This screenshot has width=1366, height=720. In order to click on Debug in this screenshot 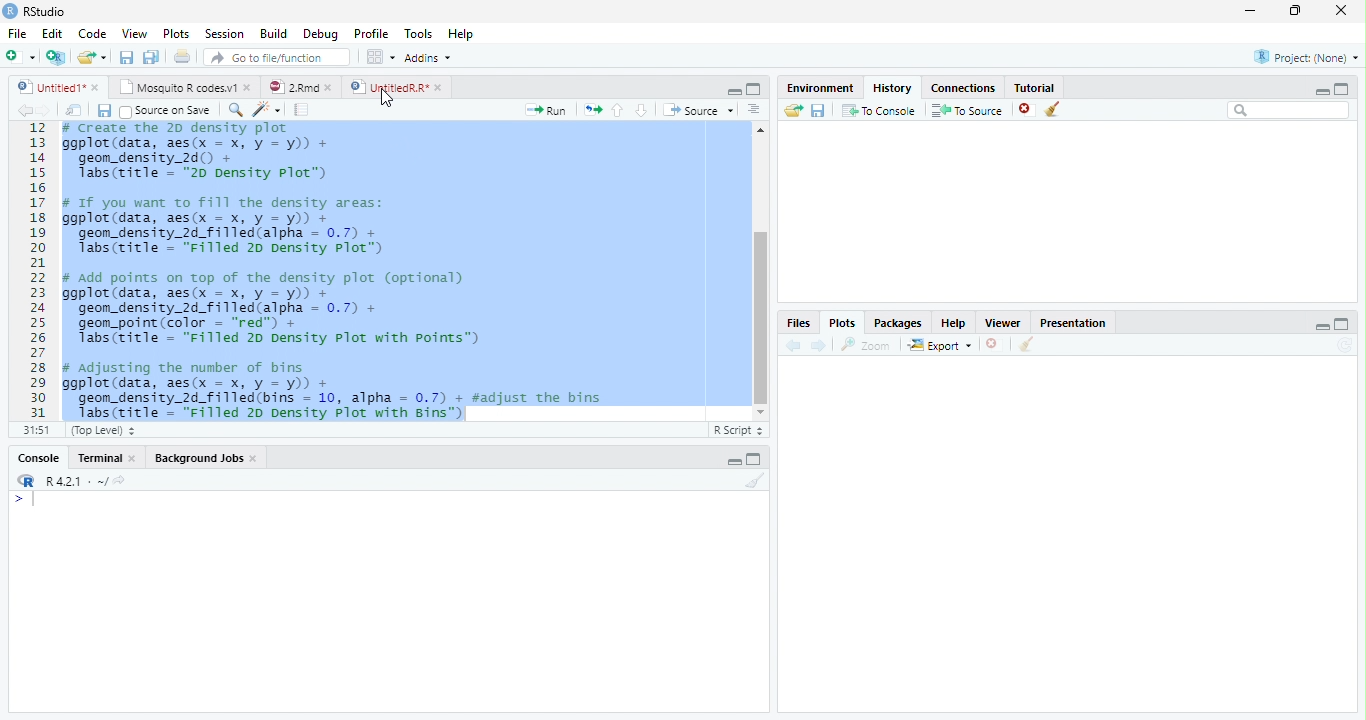, I will do `click(321, 35)`.